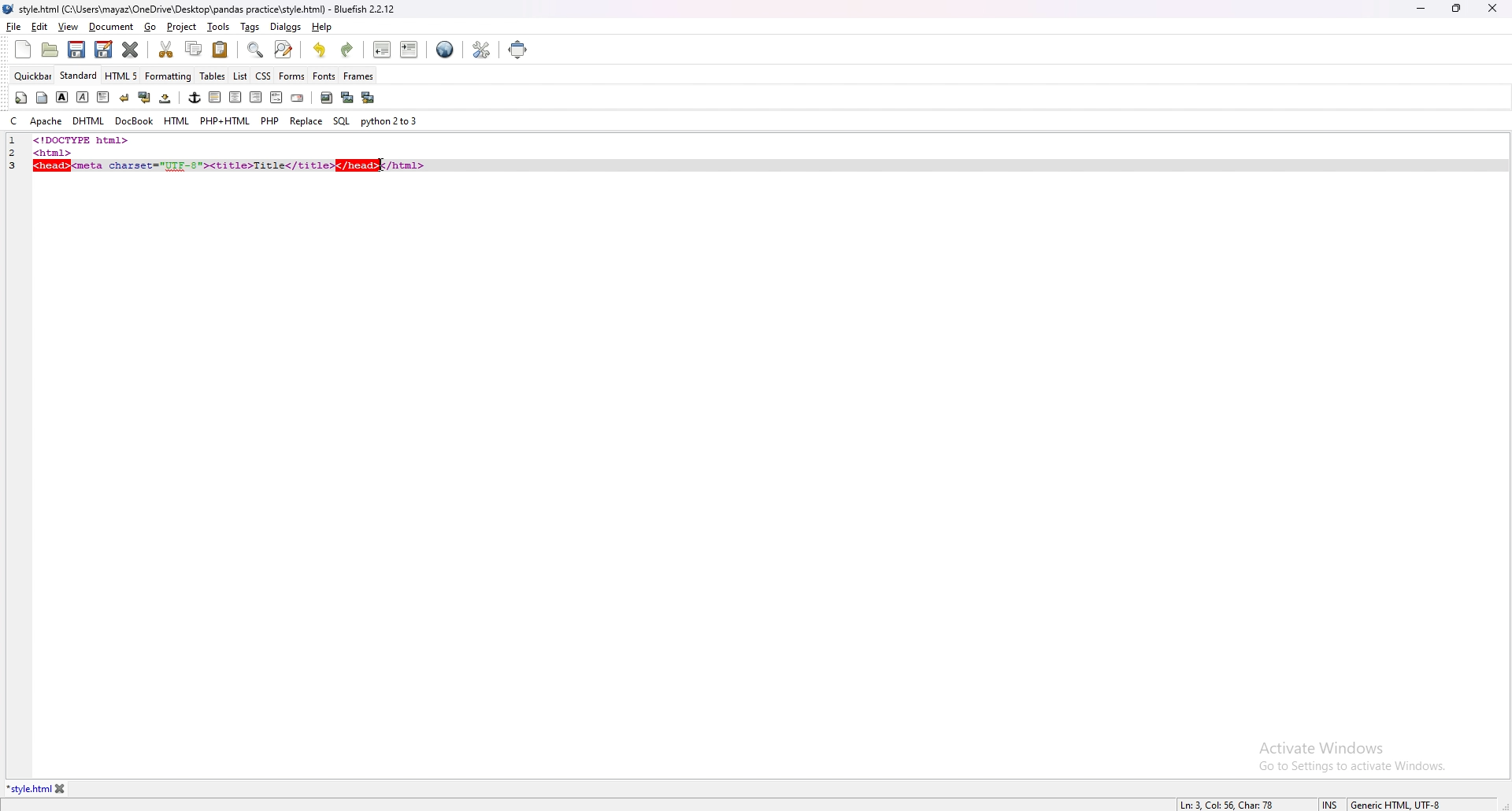 This screenshot has width=1512, height=811. What do you see at coordinates (183, 27) in the screenshot?
I see `project` at bounding box center [183, 27].